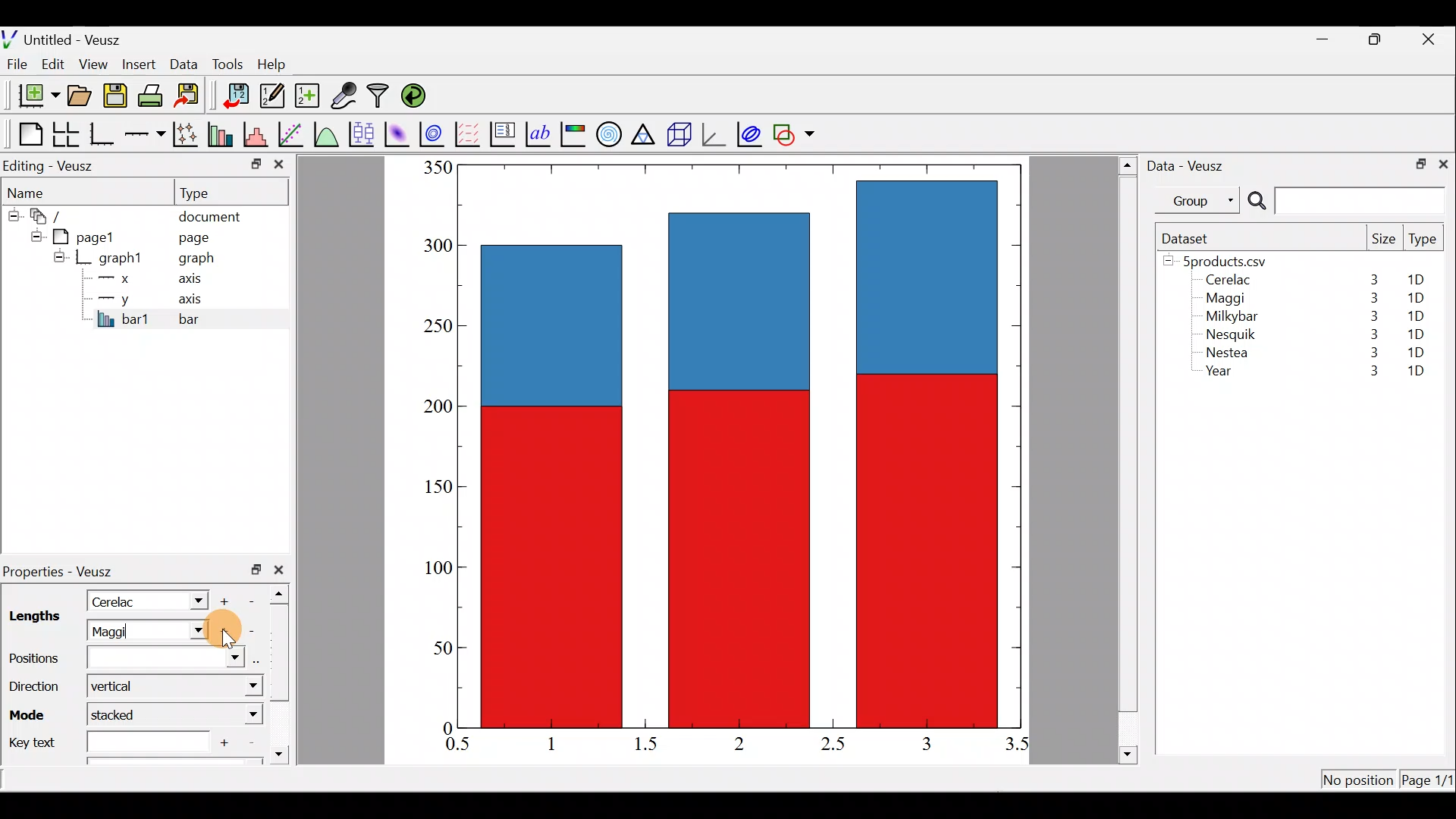 The width and height of the screenshot is (1456, 819). Describe the element at coordinates (381, 97) in the screenshot. I see `Filter data` at that location.